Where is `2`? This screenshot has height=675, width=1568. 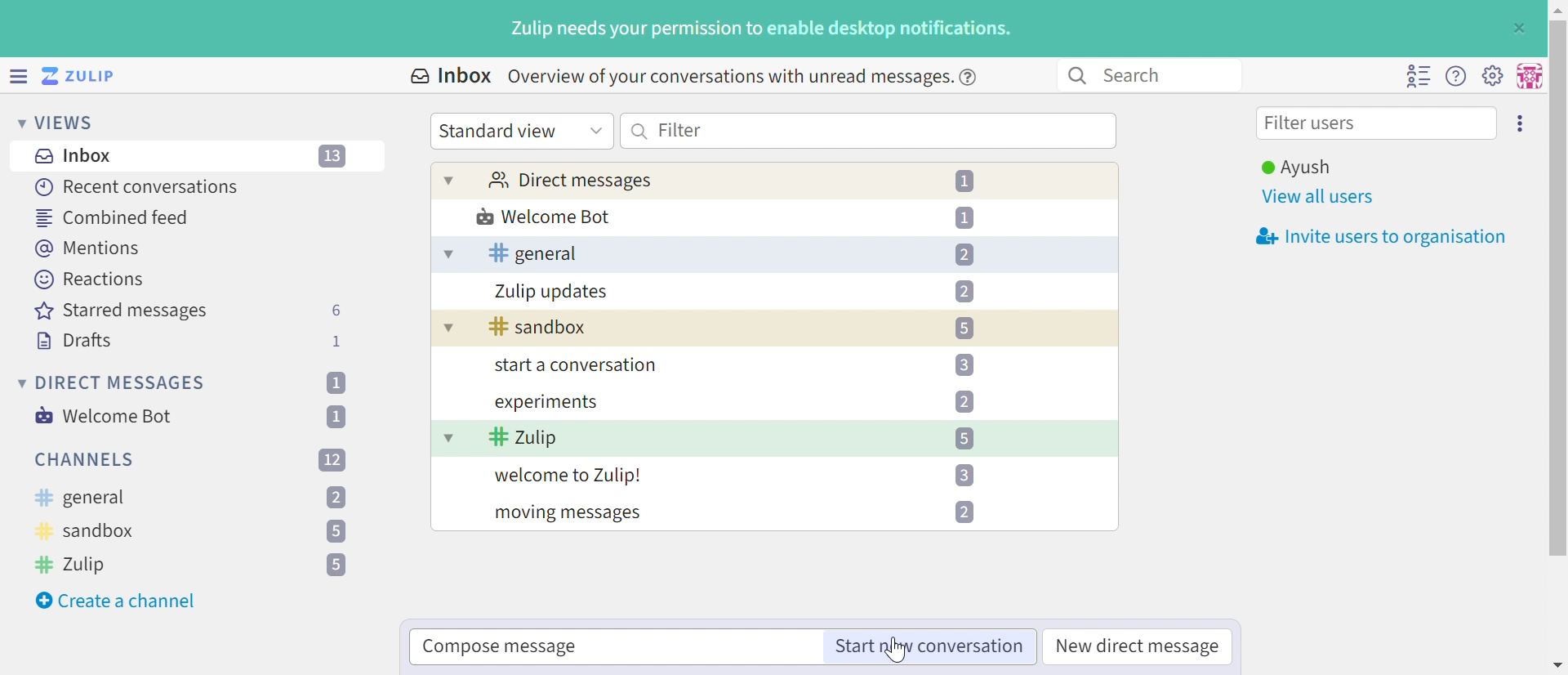 2 is located at coordinates (964, 291).